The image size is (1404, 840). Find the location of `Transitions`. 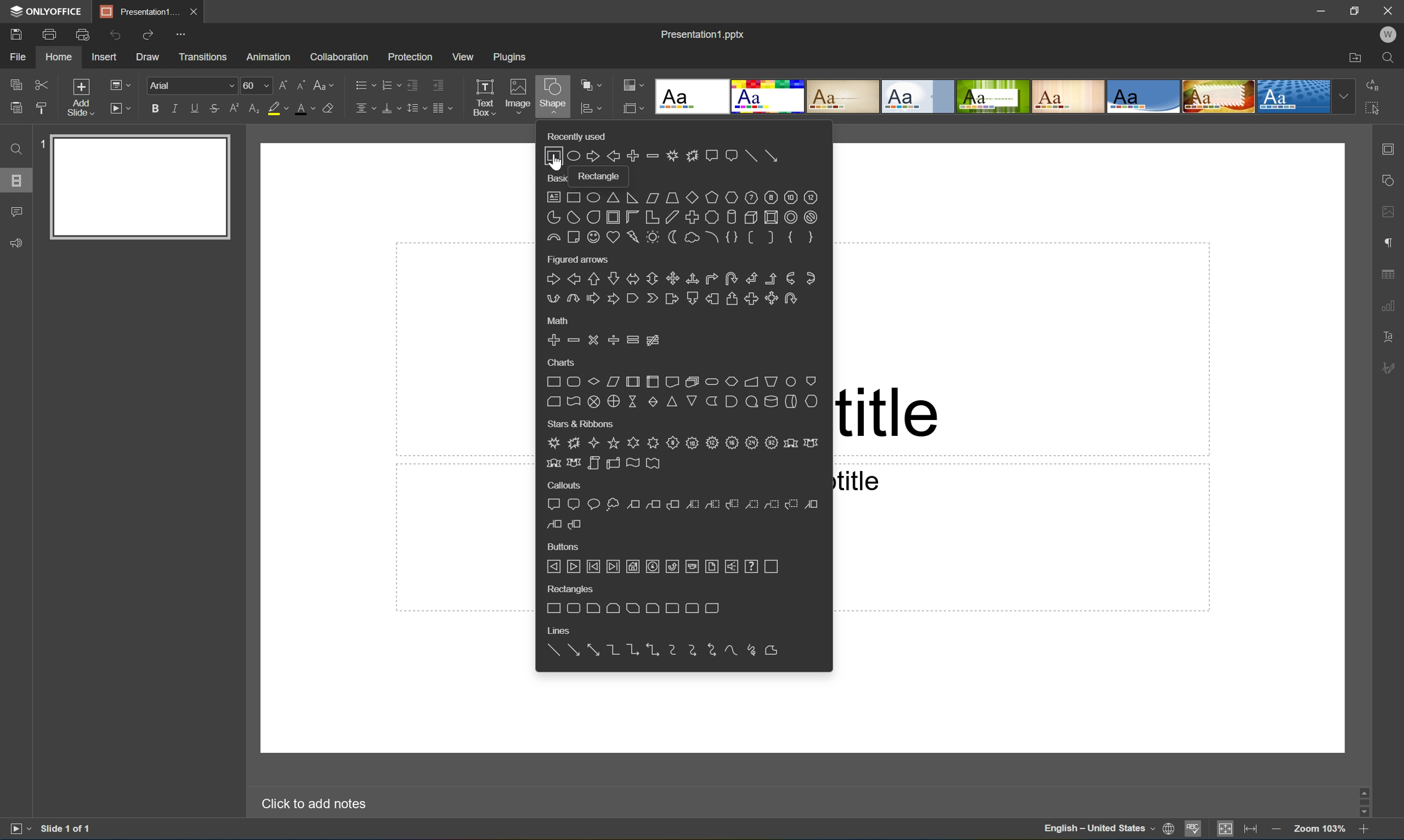

Transitions is located at coordinates (201, 57).